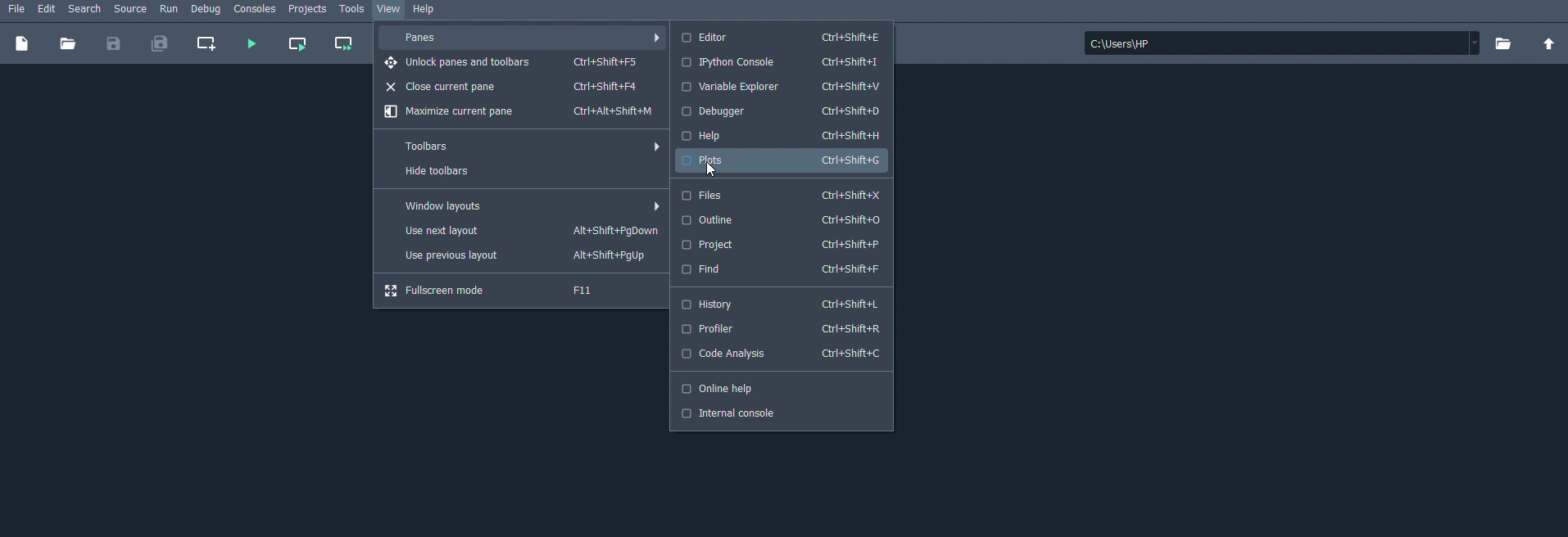 Image resolution: width=1568 pixels, height=537 pixels. I want to click on Unlock panes and toolbars, so click(514, 63).